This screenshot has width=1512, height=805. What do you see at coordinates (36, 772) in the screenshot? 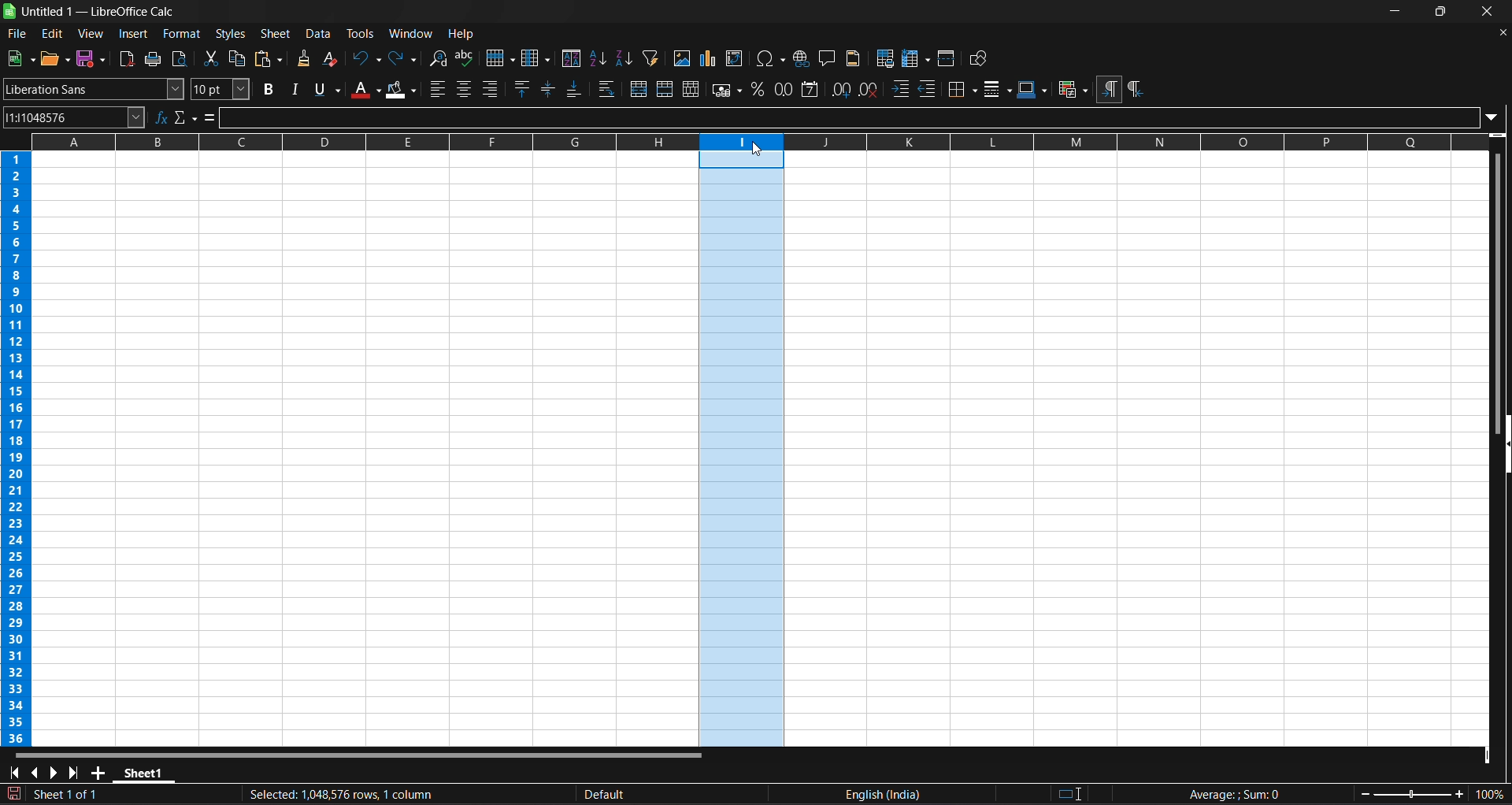
I see `scroll to previous sheet` at bounding box center [36, 772].